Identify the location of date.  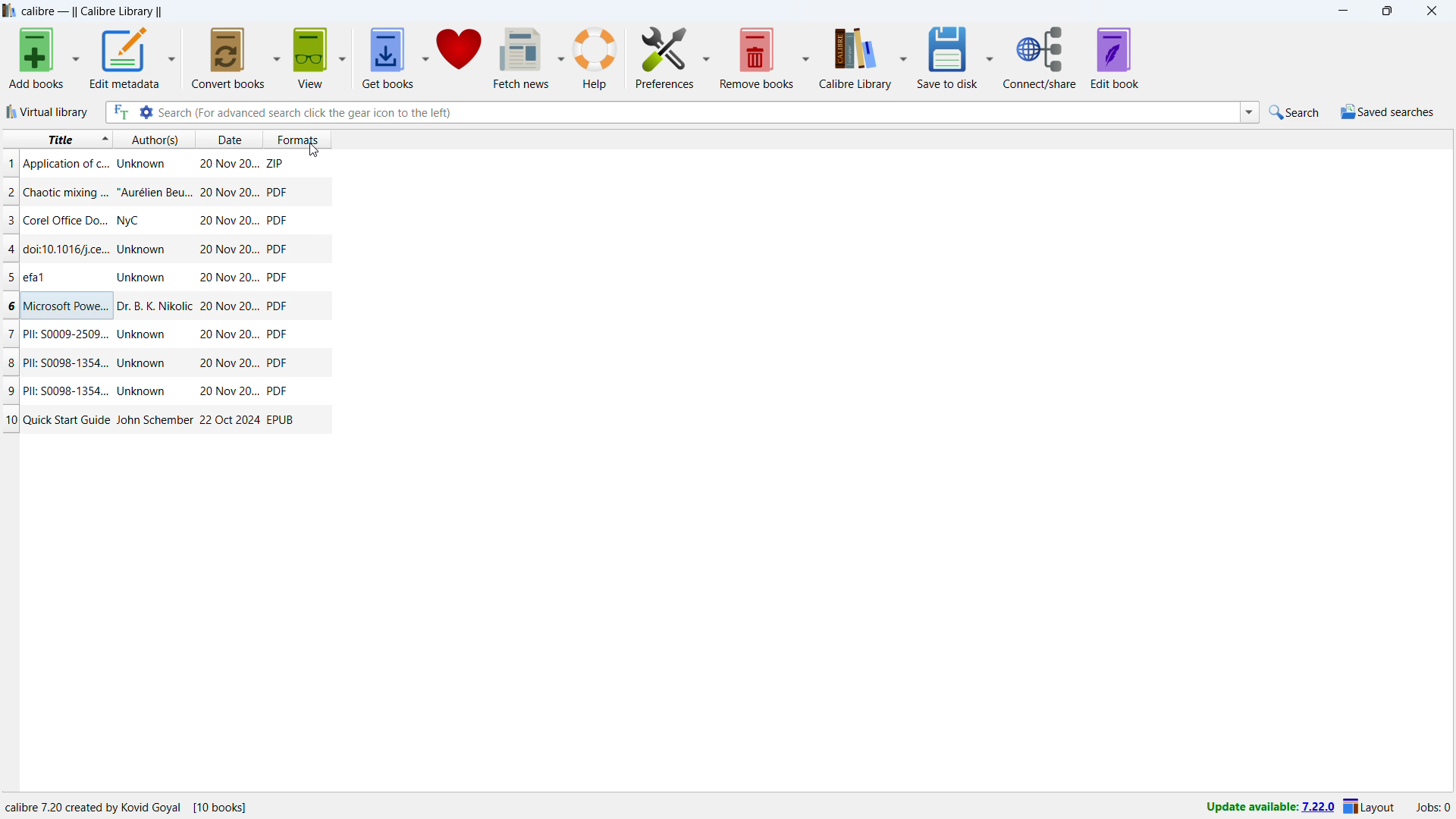
(227, 278).